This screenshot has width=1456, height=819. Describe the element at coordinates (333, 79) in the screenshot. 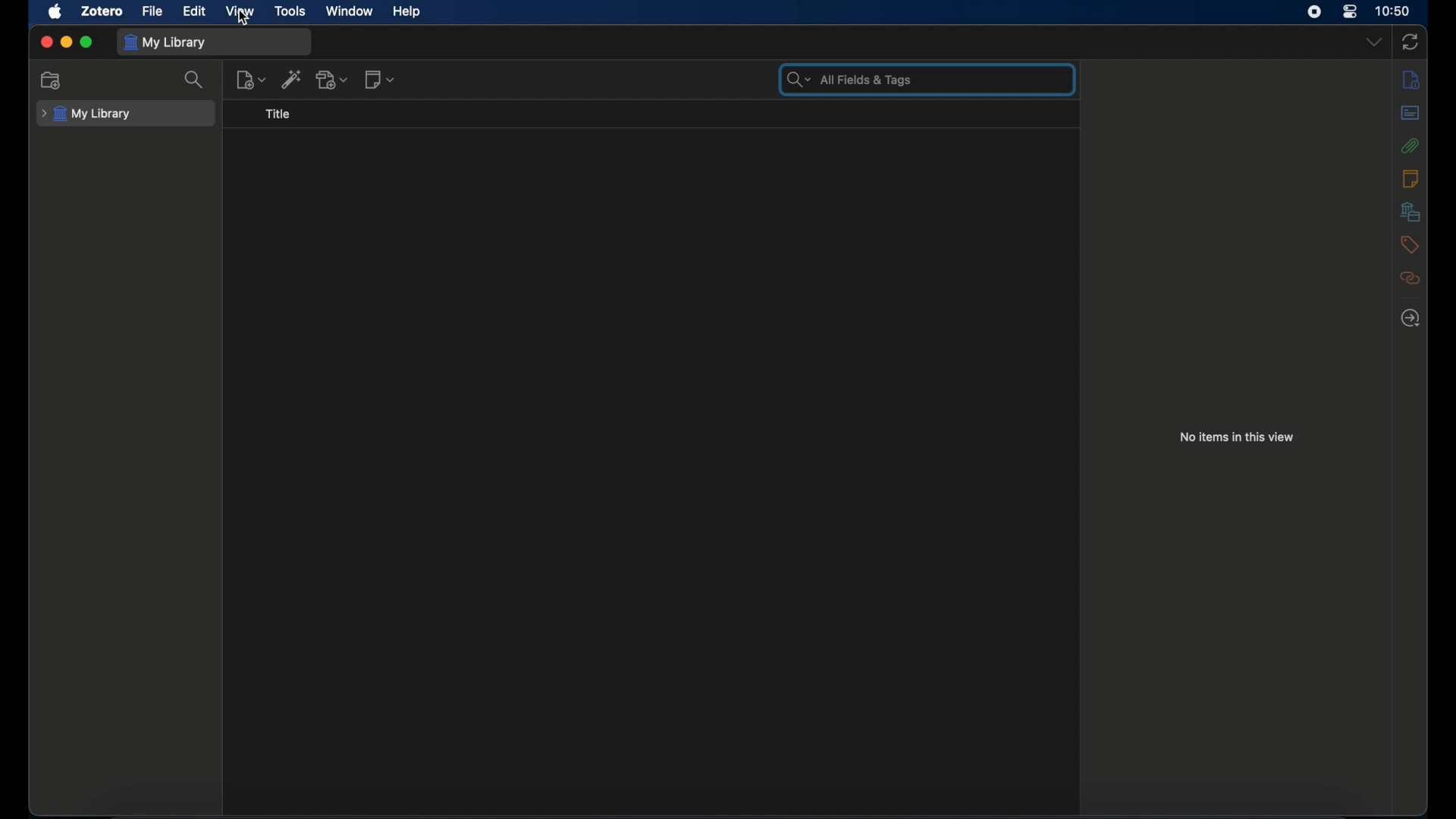

I see `add attachments` at that location.